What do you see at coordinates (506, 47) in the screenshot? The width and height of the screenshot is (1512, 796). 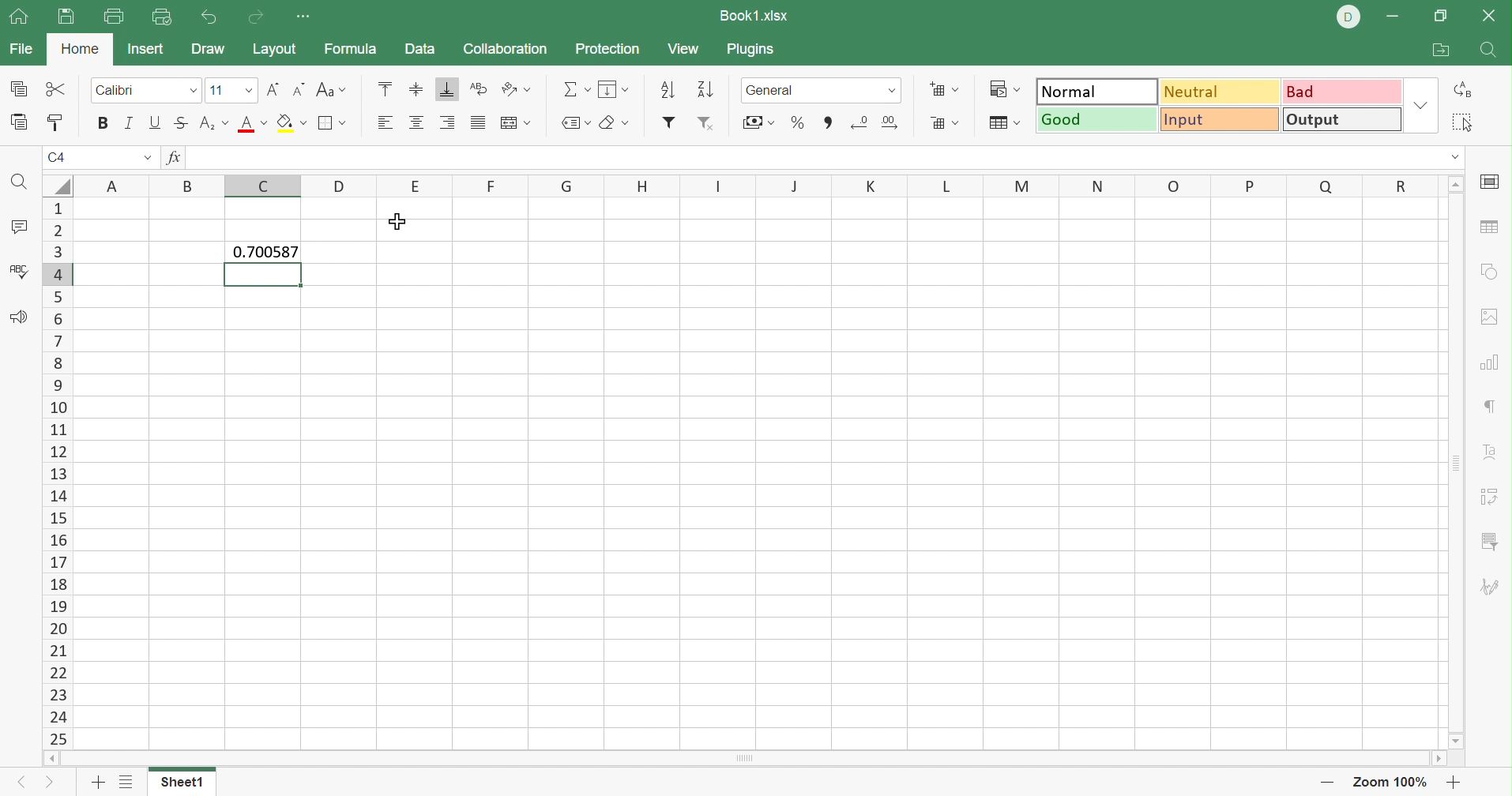 I see `Collaboration` at bounding box center [506, 47].